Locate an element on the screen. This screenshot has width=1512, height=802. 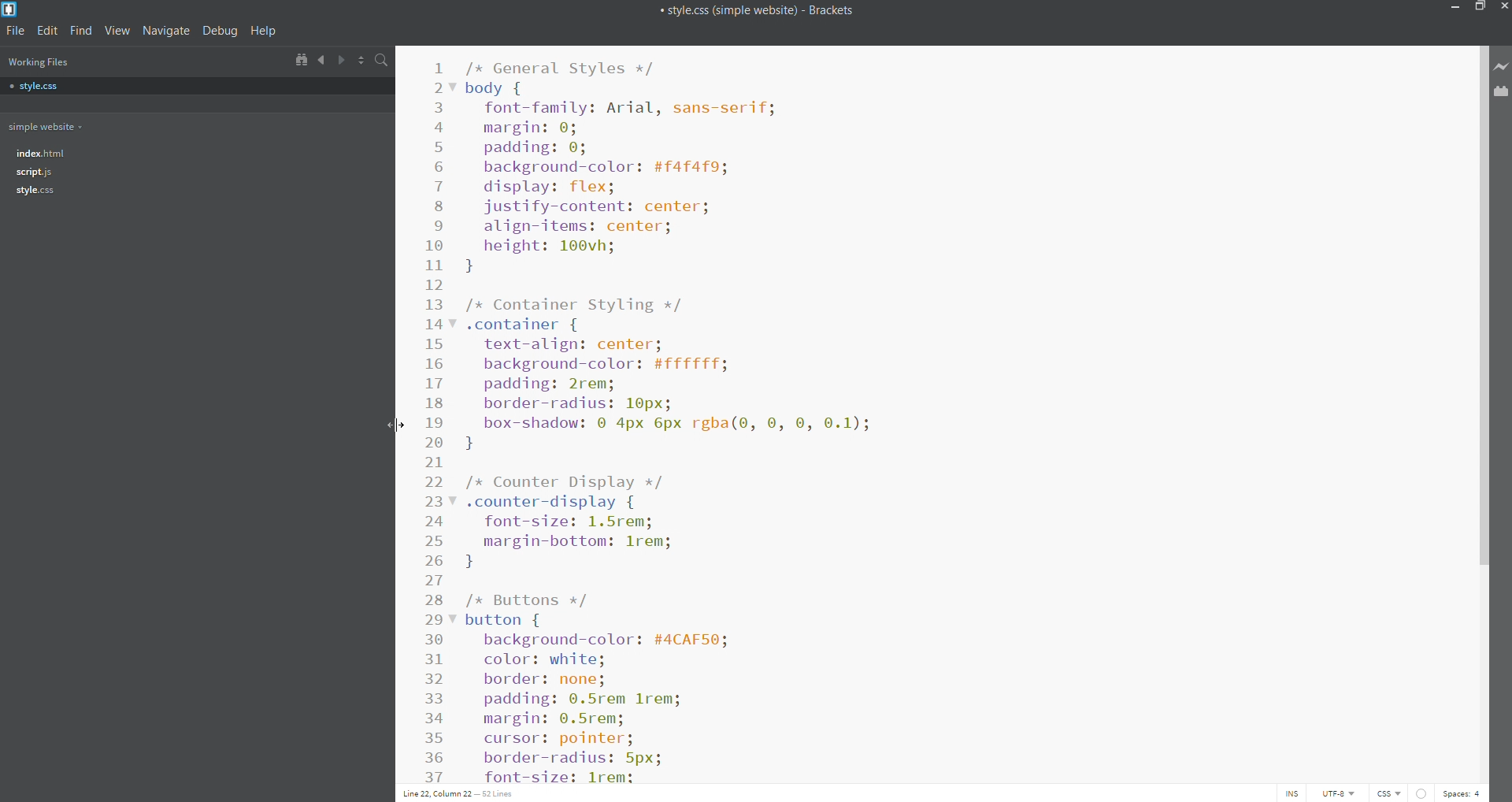
view is located at coordinates (117, 32).